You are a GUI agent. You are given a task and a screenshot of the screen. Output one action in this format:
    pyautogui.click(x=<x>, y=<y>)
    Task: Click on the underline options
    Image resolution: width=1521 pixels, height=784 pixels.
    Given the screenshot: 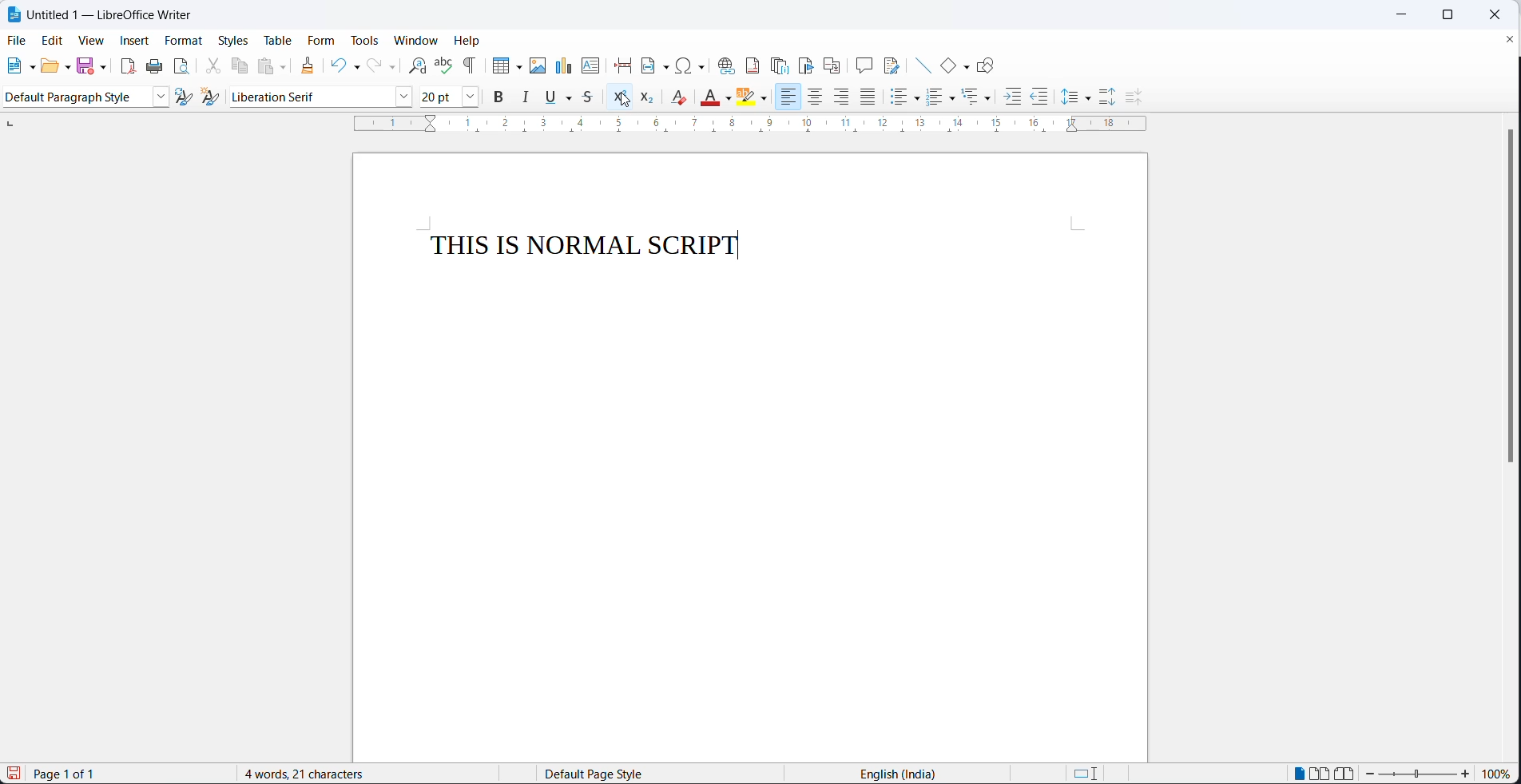 What is the action you would take?
    pyautogui.click(x=573, y=97)
    